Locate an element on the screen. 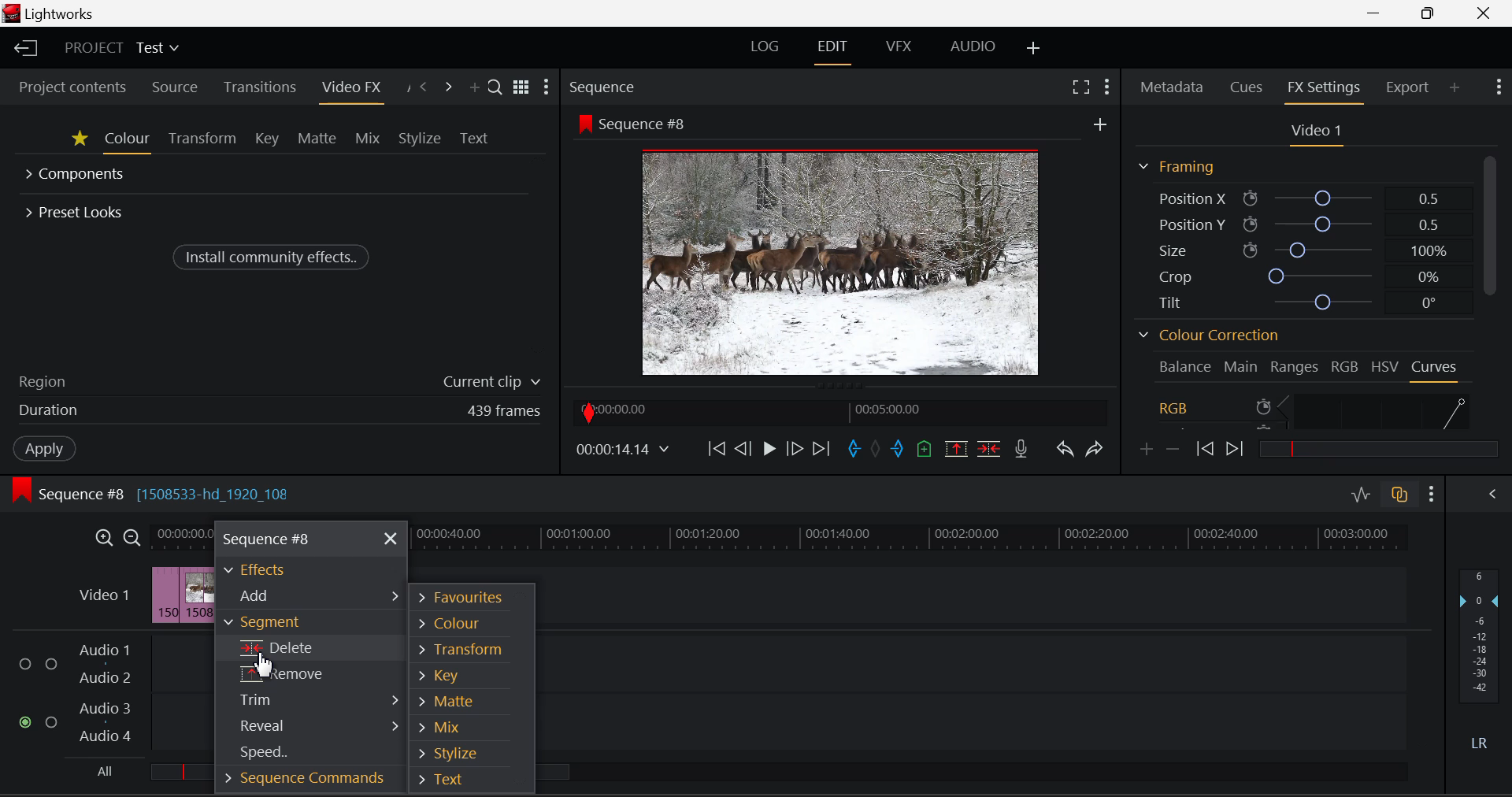  Video FX is located at coordinates (349, 87).